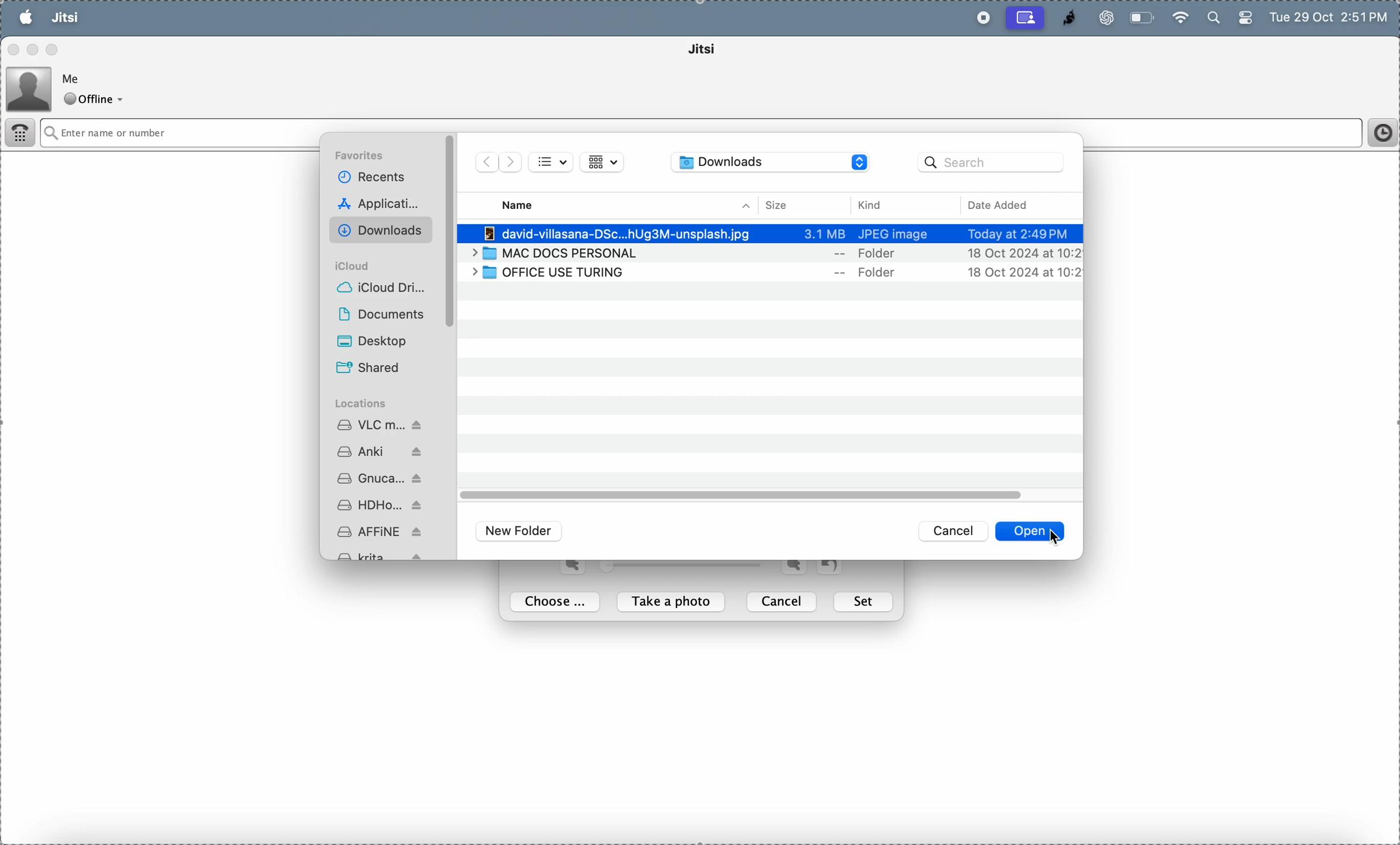  What do you see at coordinates (718, 51) in the screenshot?
I see `jitsi ` at bounding box center [718, 51].